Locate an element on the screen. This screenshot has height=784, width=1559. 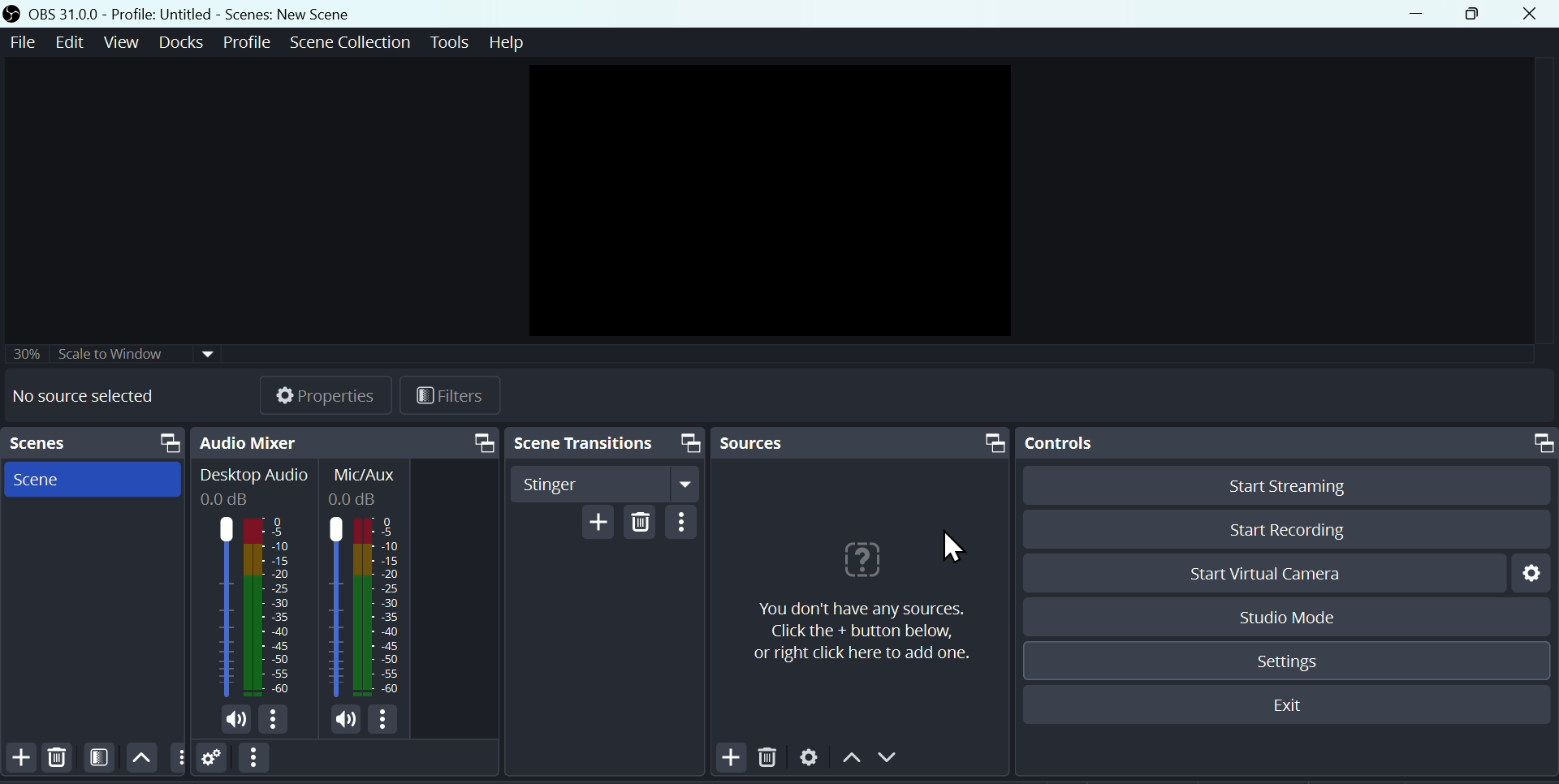
Settings is located at coordinates (813, 759).